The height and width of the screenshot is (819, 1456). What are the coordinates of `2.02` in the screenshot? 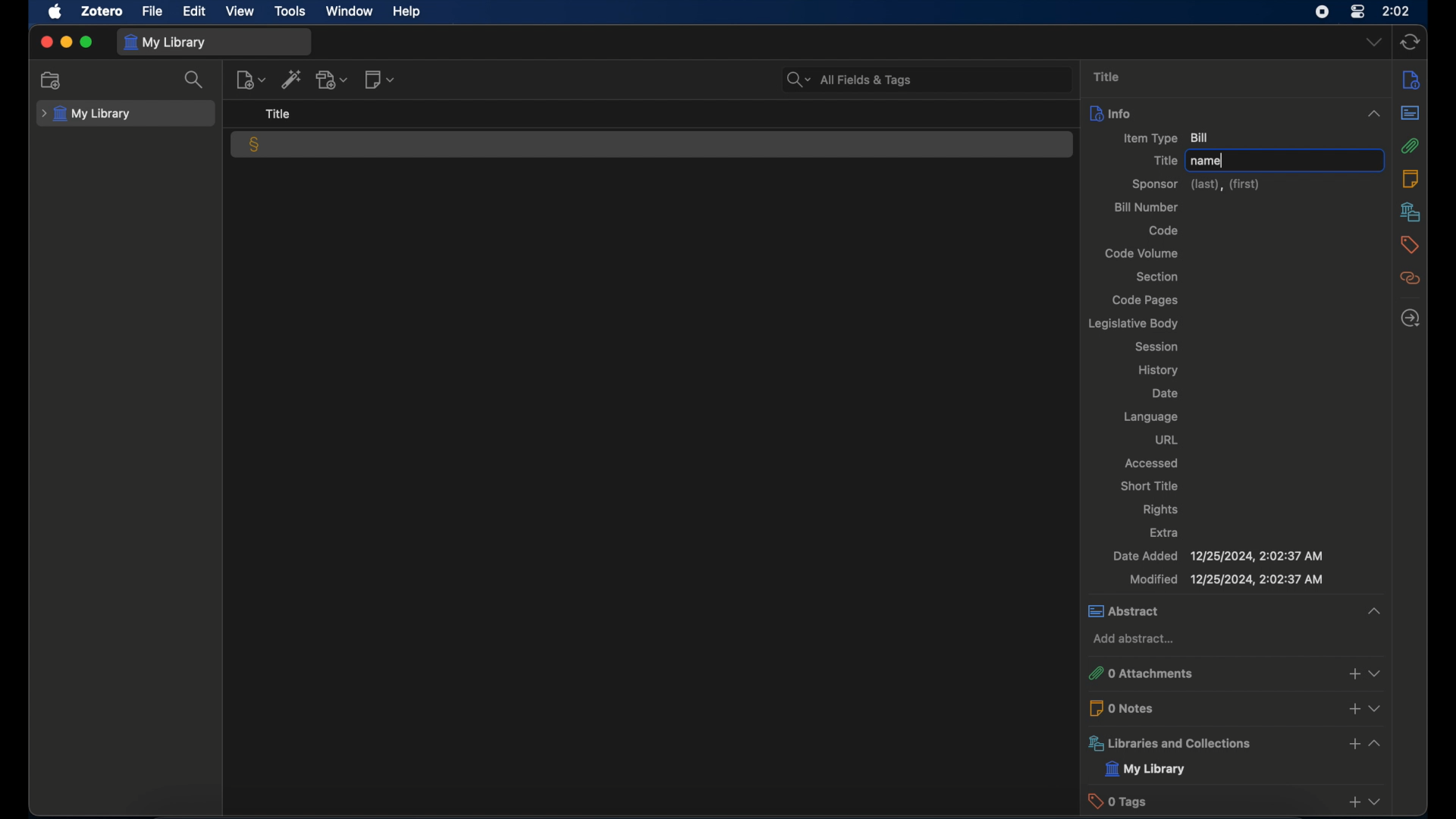 It's located at (1397, 10).